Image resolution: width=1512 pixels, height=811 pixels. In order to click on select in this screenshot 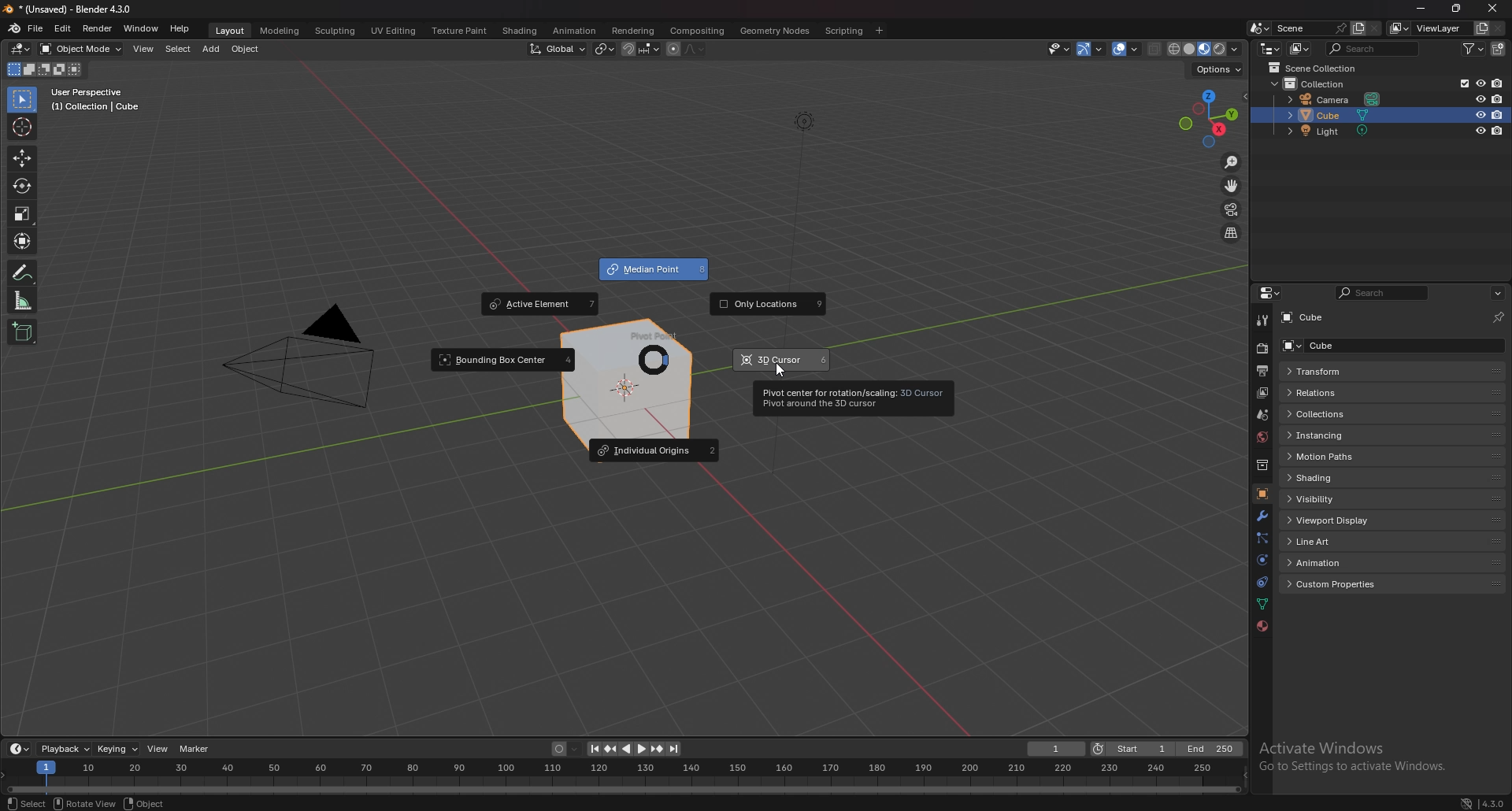, I will do `click(178, 49)`.